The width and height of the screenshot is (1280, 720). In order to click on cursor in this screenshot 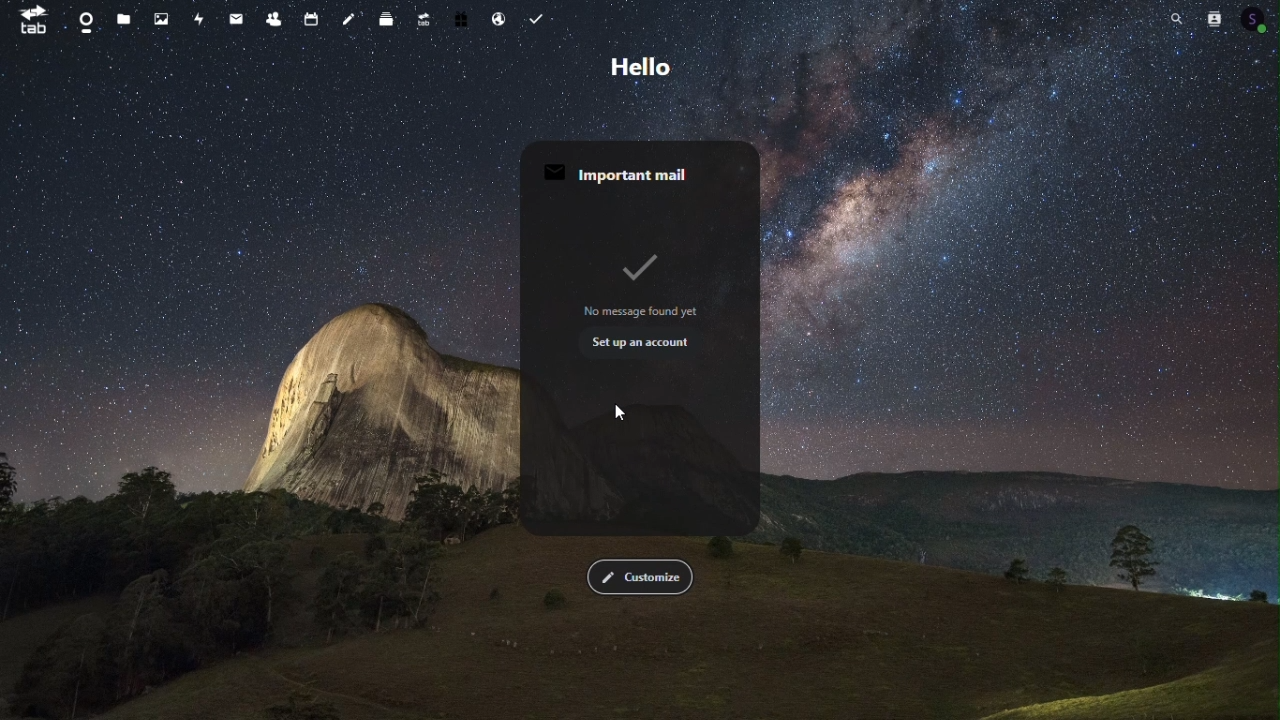, I will do `click(618, 410)`.